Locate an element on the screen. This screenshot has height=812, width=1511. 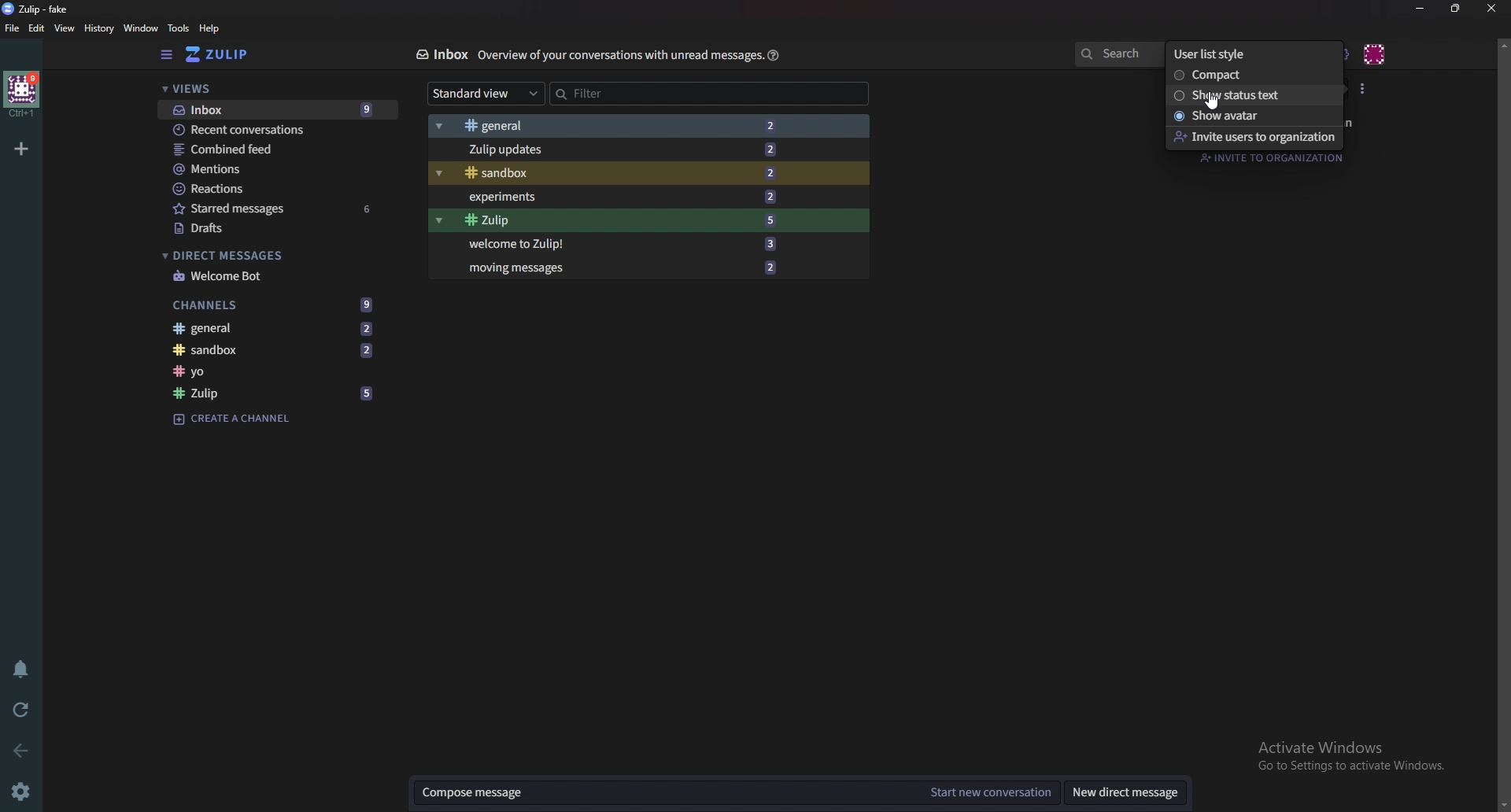
Window is located at coordinates (142, 28).